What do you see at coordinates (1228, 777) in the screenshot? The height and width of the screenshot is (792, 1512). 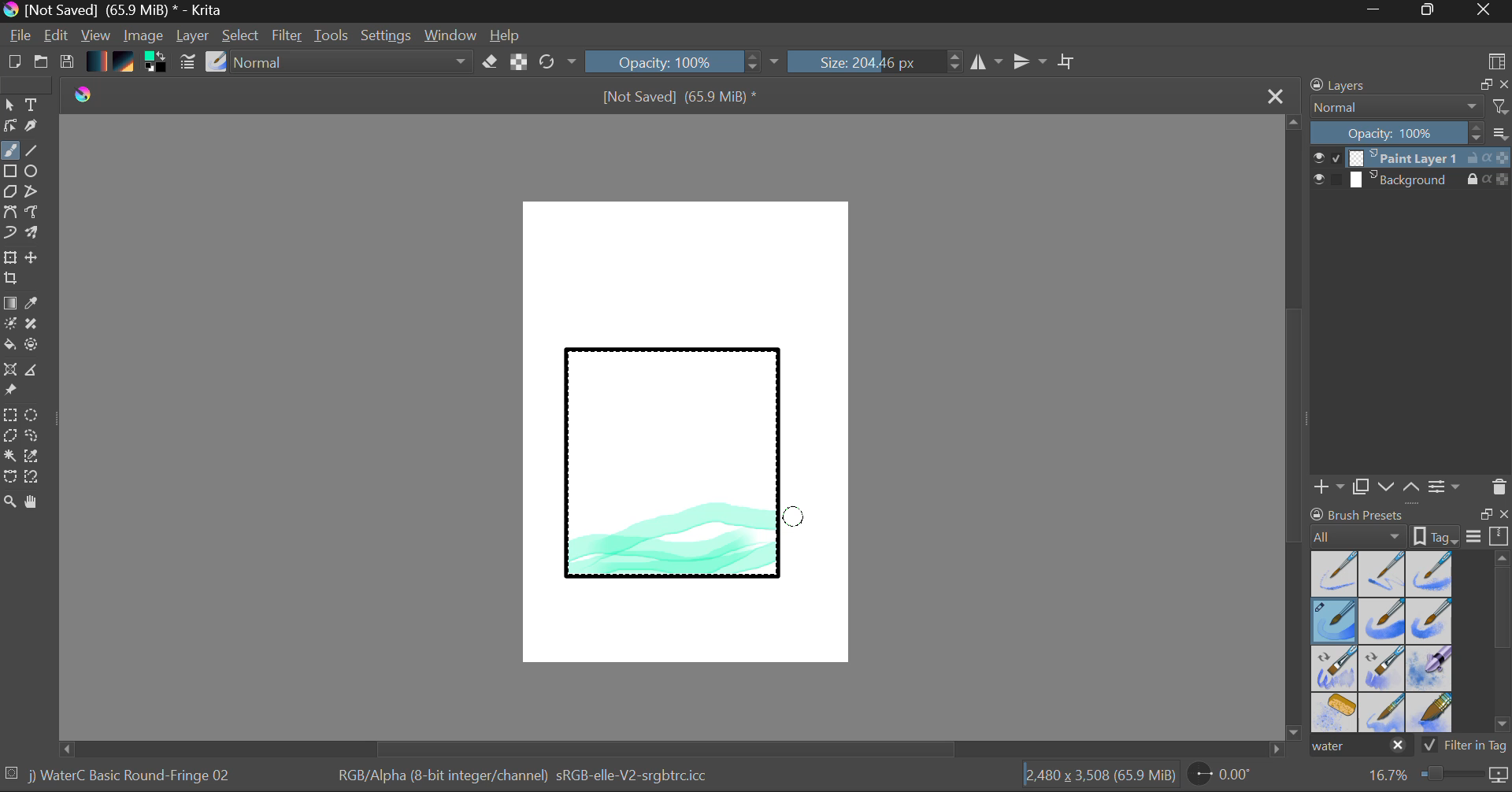 I see `Page Rotation` at bounding box center [1228, 777].